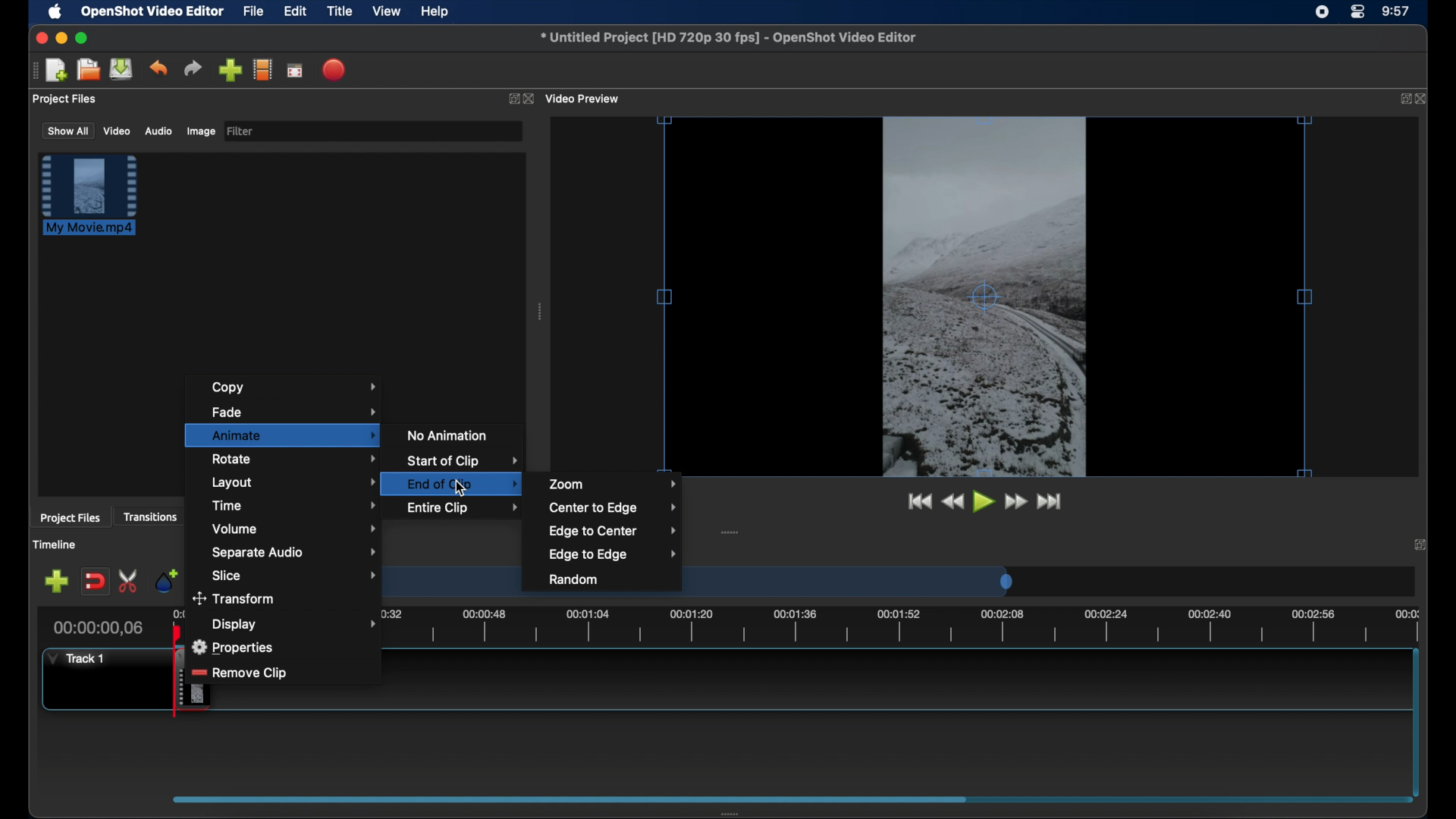  What do you see at coordinates (82, 38) in the screenshot?
I see `maximize` at bounding box center [82, 38].